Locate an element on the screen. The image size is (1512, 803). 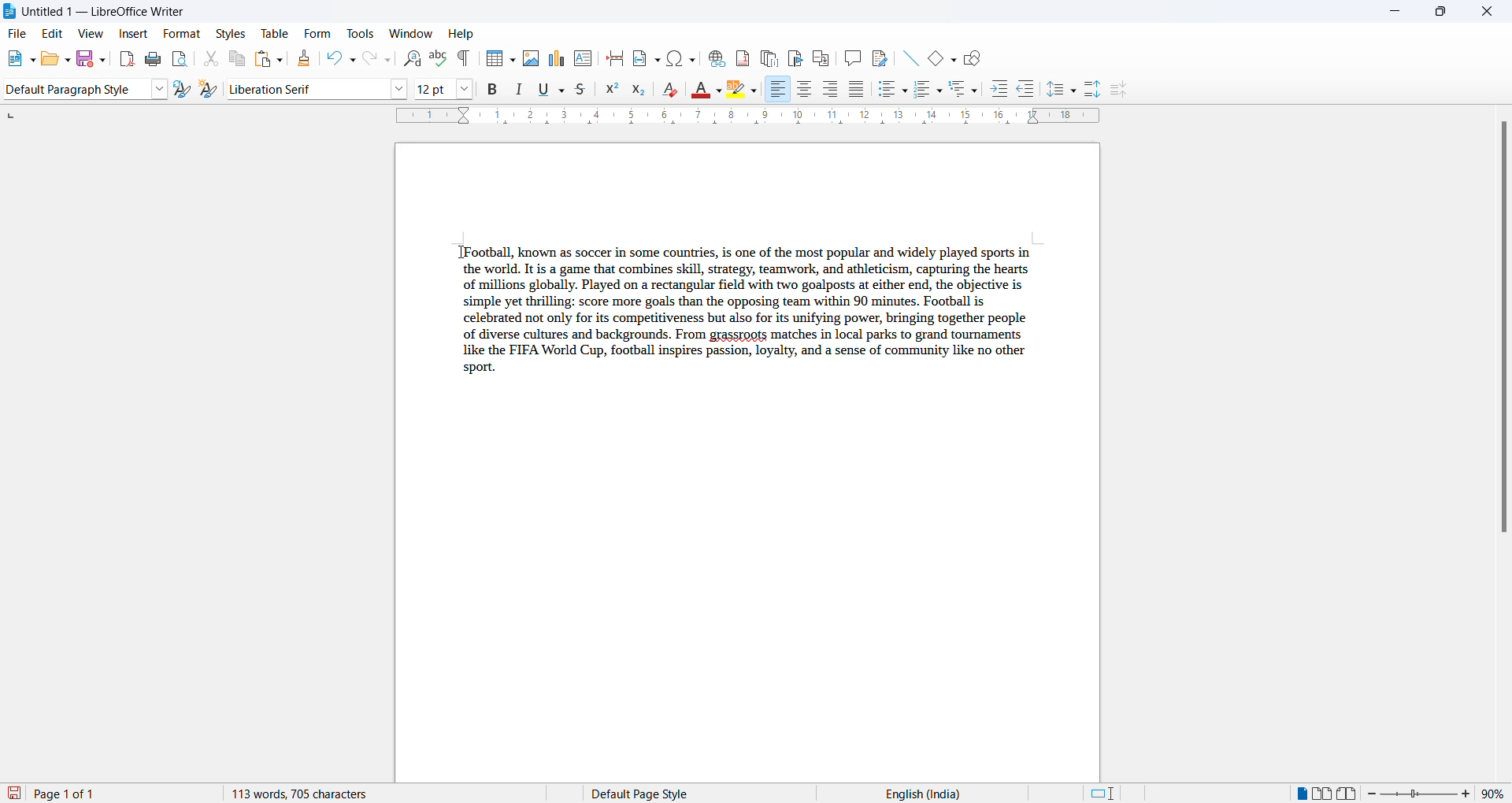
insert table grid is located at coordinates (513, 58).